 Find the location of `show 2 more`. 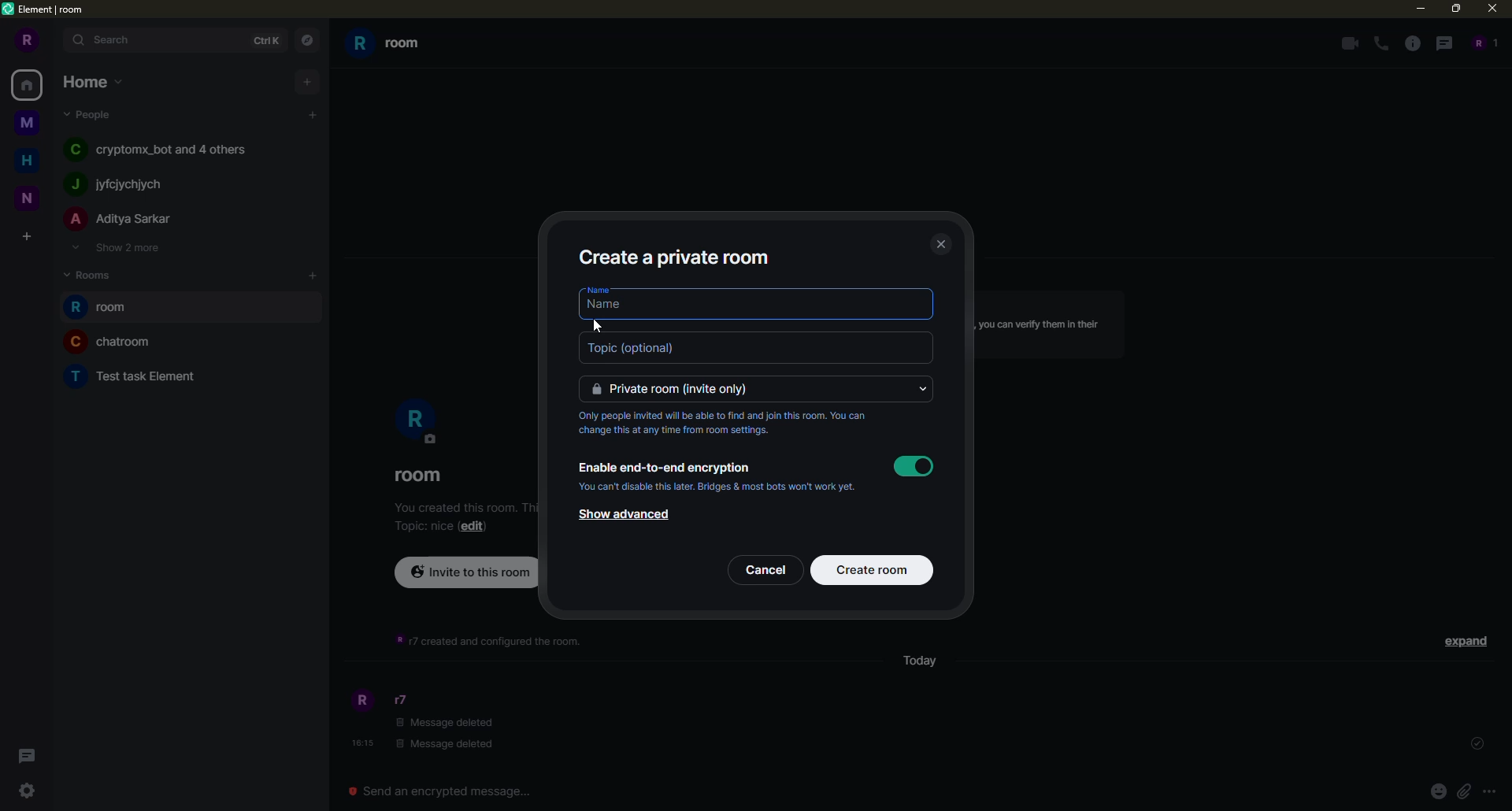

show 2 more is located at coordinates (123, 247).